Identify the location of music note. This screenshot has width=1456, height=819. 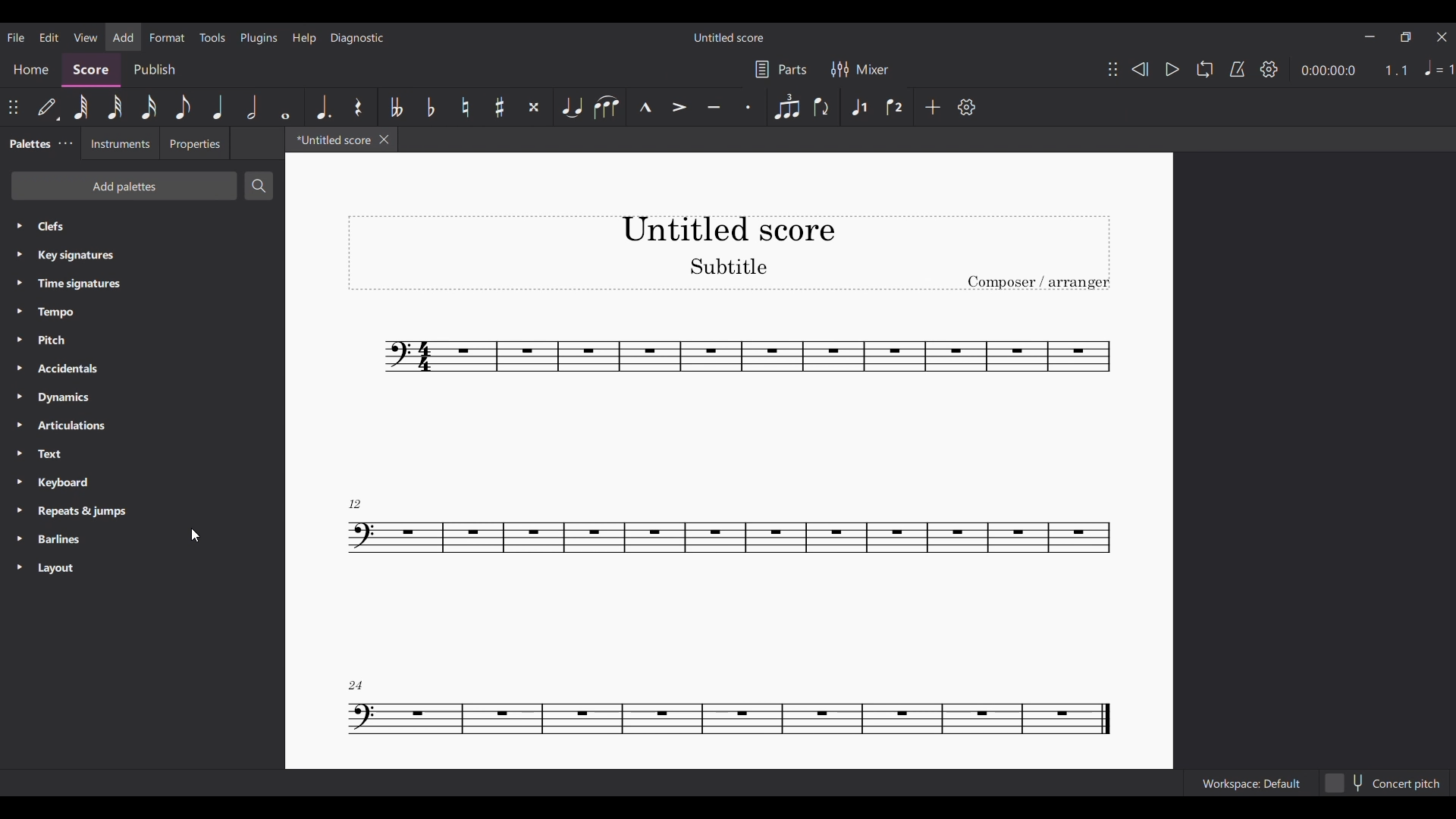
(735, 713).